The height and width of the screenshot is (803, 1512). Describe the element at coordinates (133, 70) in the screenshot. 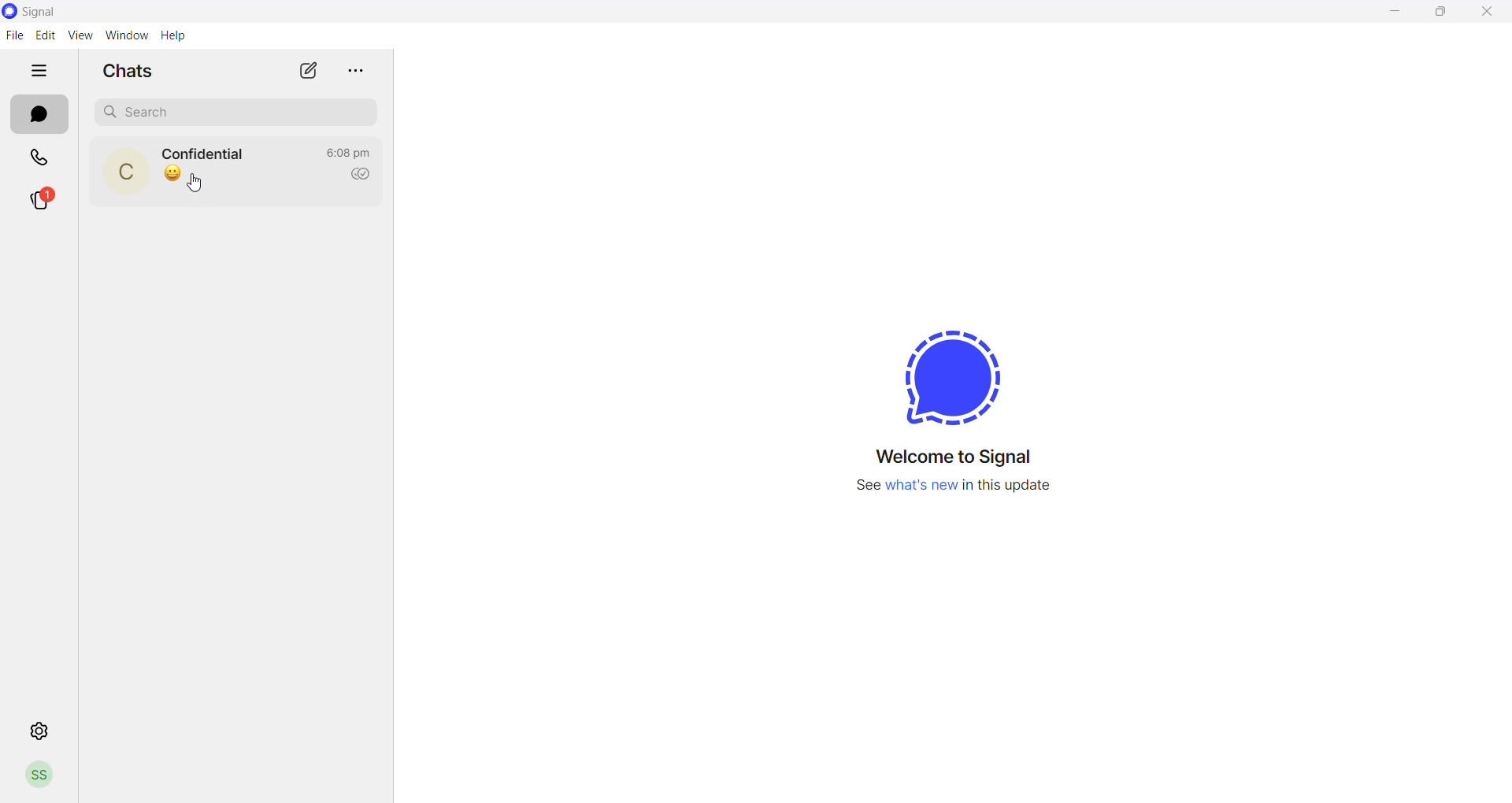

I see `chats` at that location.